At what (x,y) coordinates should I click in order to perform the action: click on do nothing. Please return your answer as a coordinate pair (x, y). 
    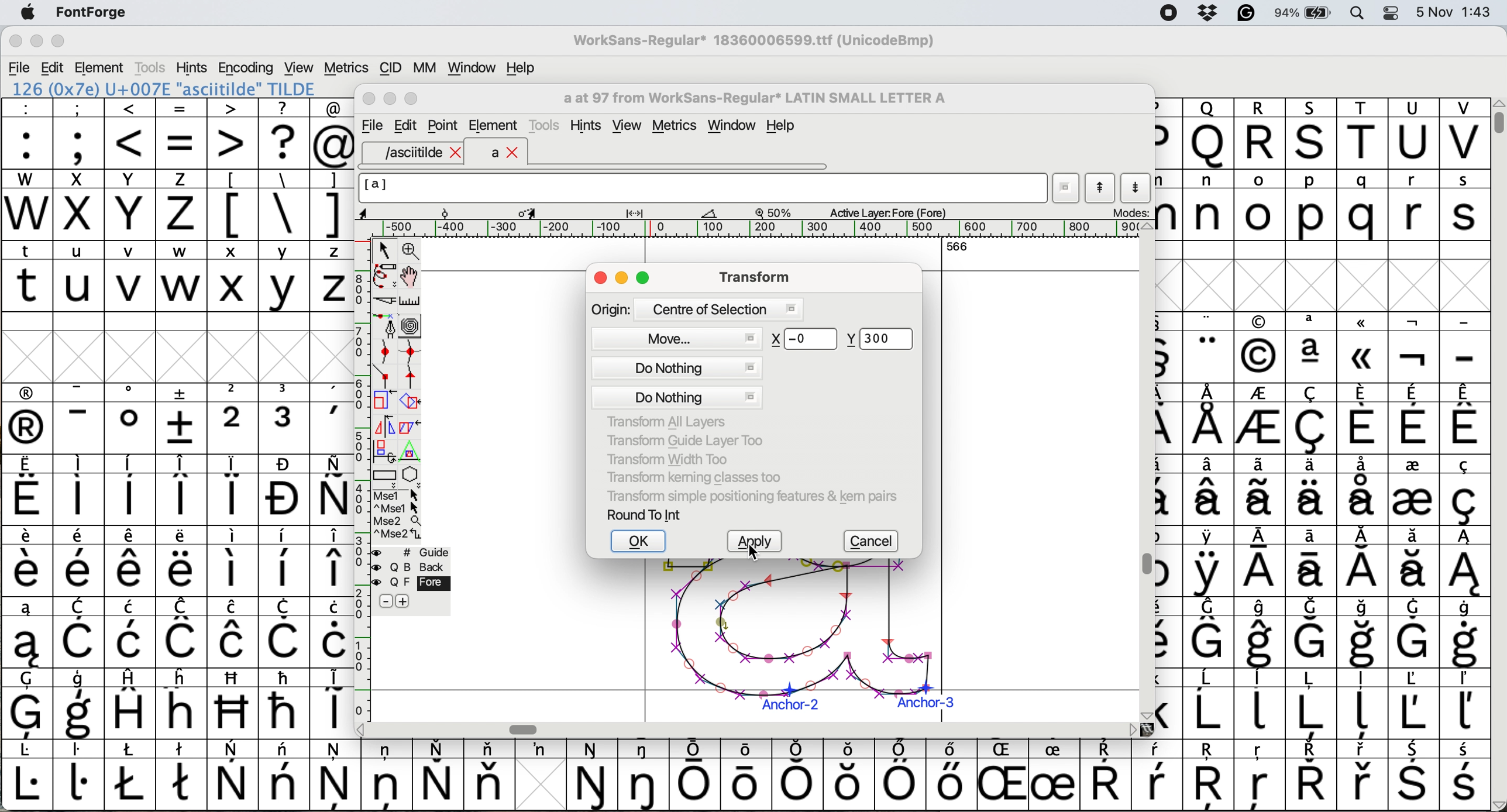
    Looking at the image, I should click on (675, 381).